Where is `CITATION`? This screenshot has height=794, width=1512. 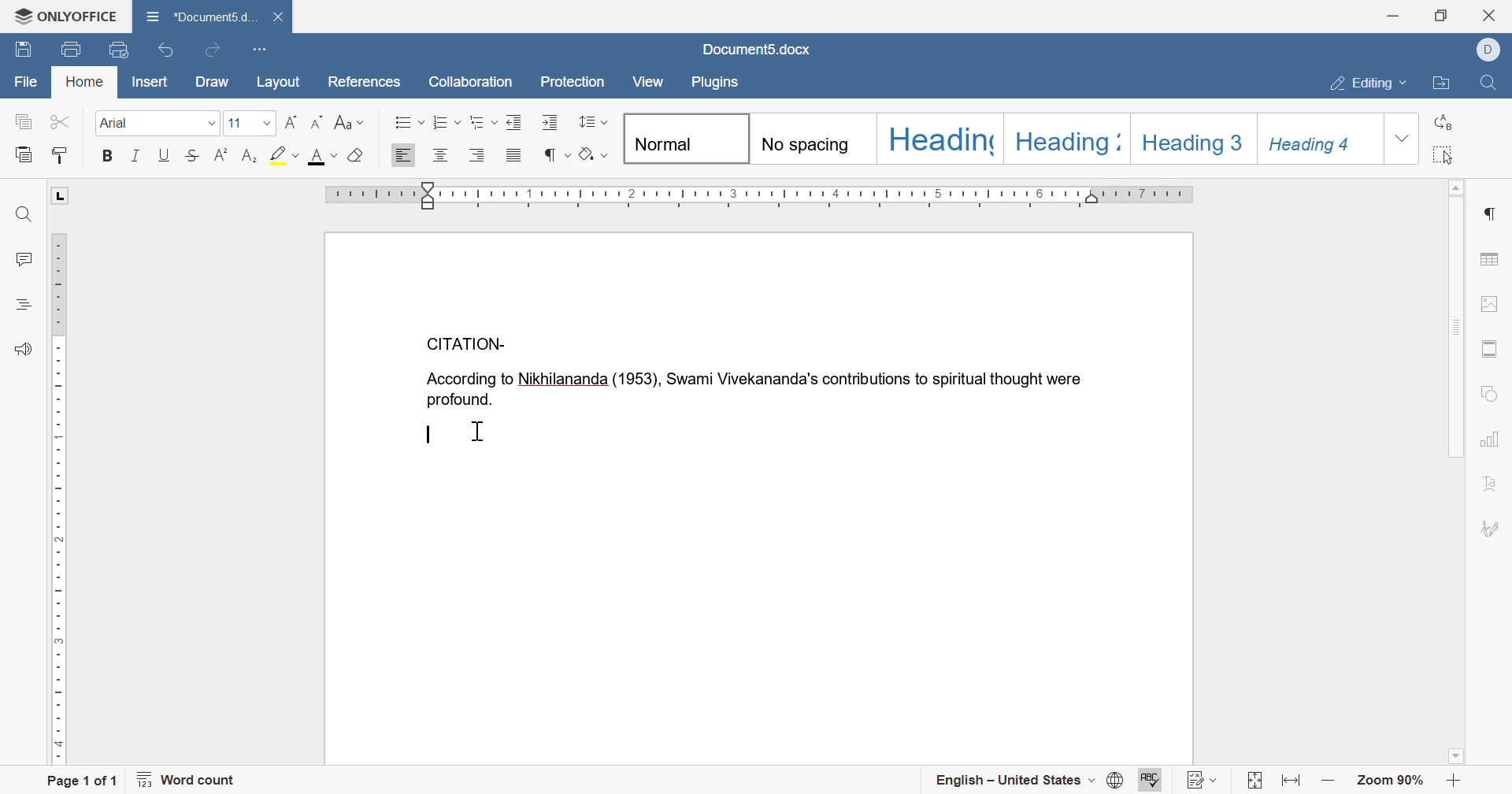 CITATION is located at coordinates (467, 344).